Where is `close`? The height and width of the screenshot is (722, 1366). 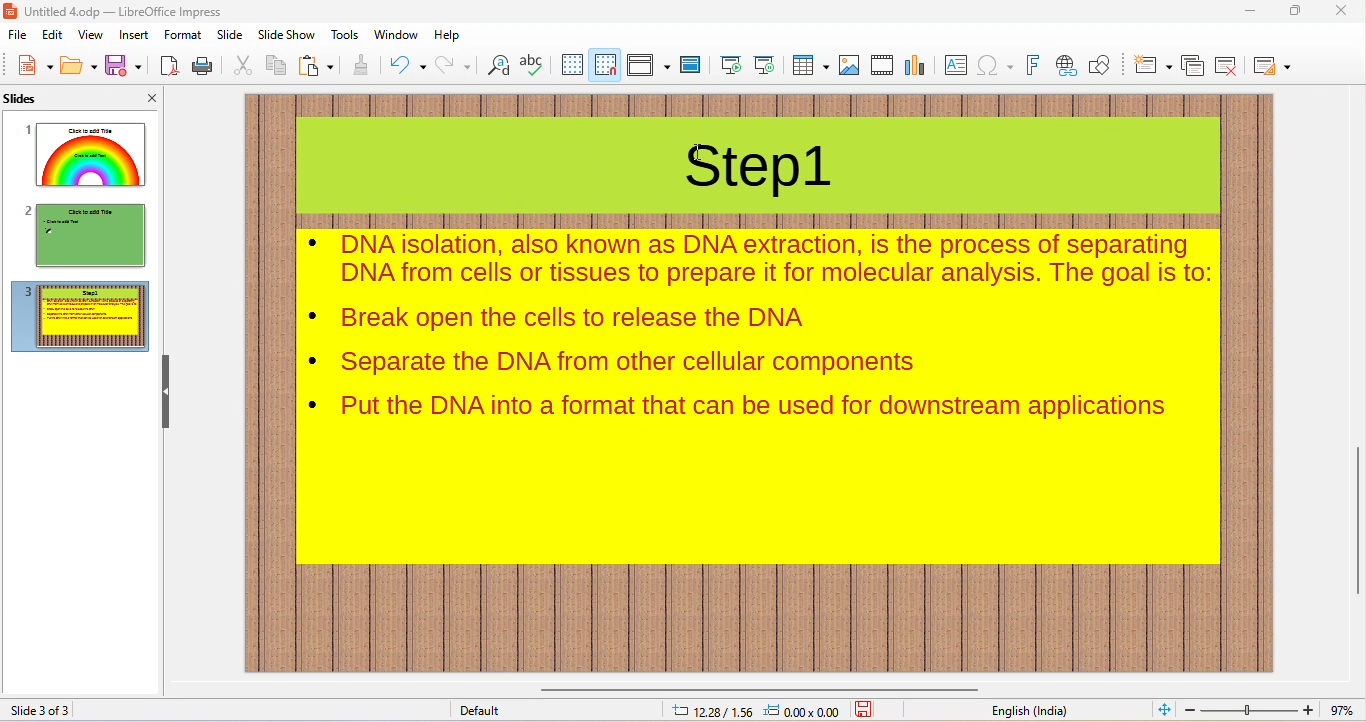
close is located at coordinates (1344, 11).